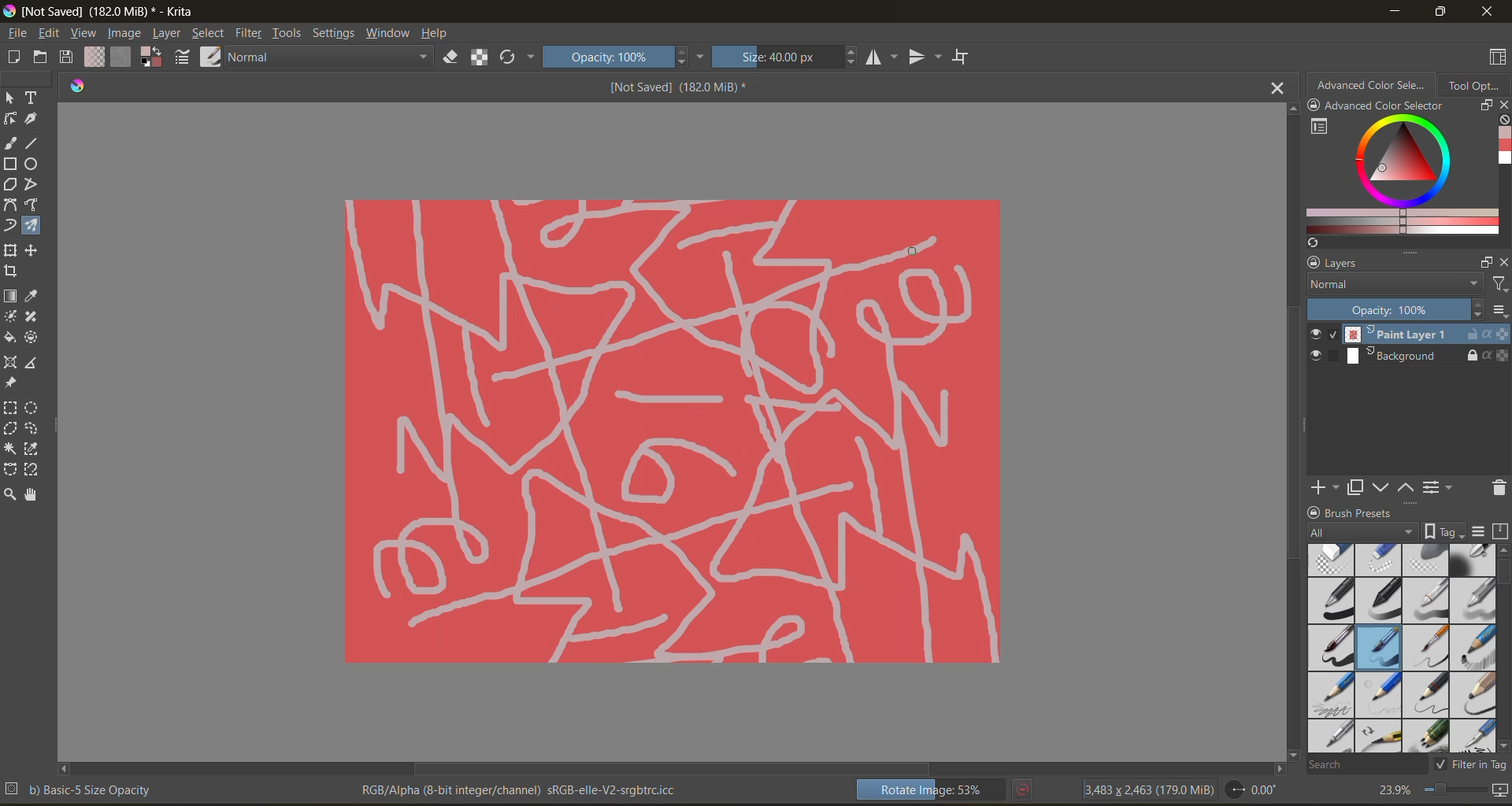  Describe the element at coordinates (1276, 767) in the screenshot. I see `Scroll right` at that location.